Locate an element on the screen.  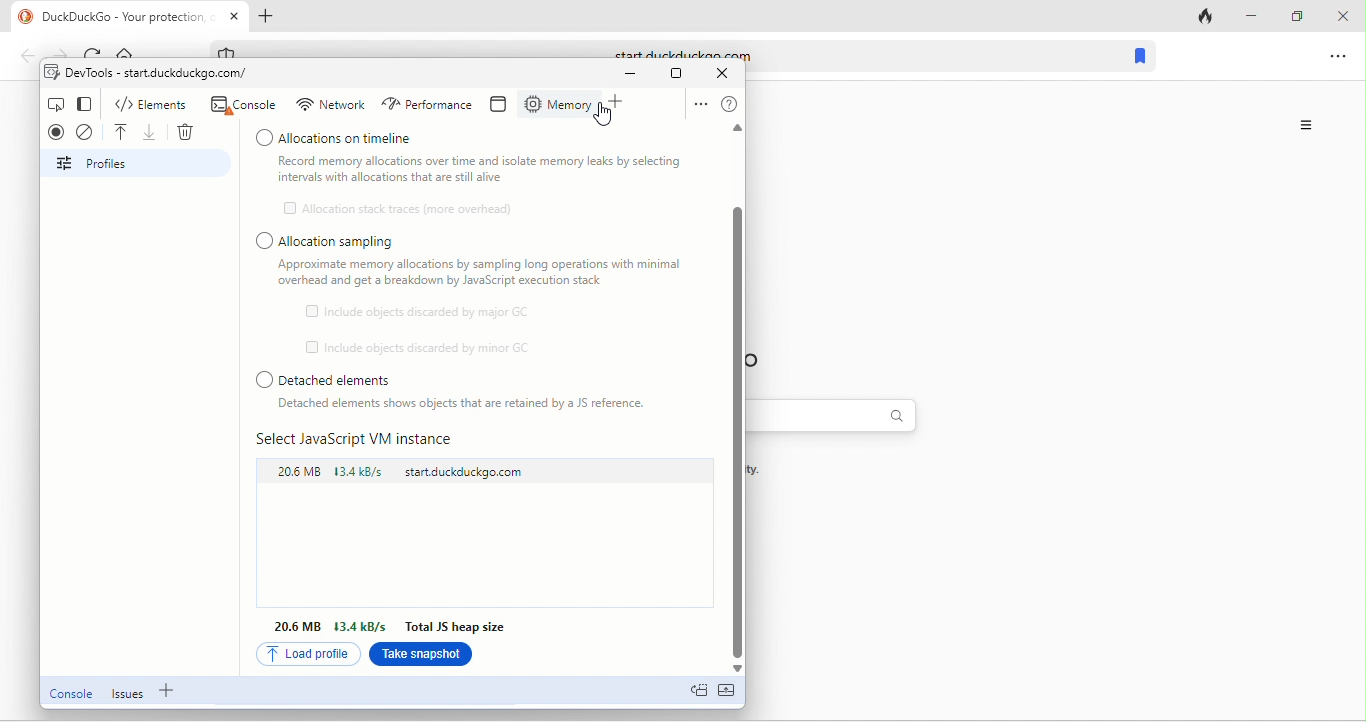
minimize is located at coordinates (1251, 13).